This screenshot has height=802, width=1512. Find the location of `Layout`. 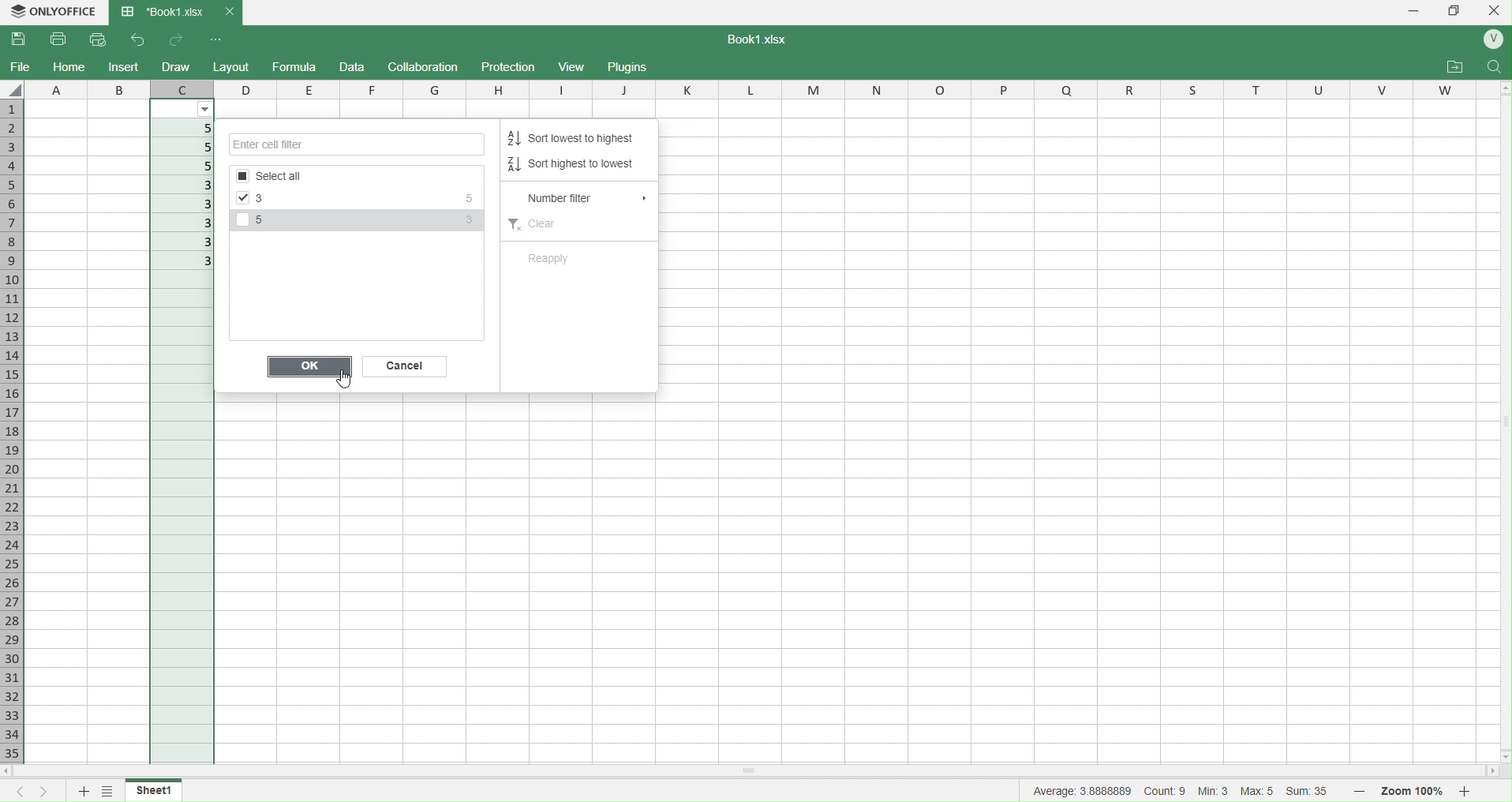

Layout is located at coordinates (232, 67).